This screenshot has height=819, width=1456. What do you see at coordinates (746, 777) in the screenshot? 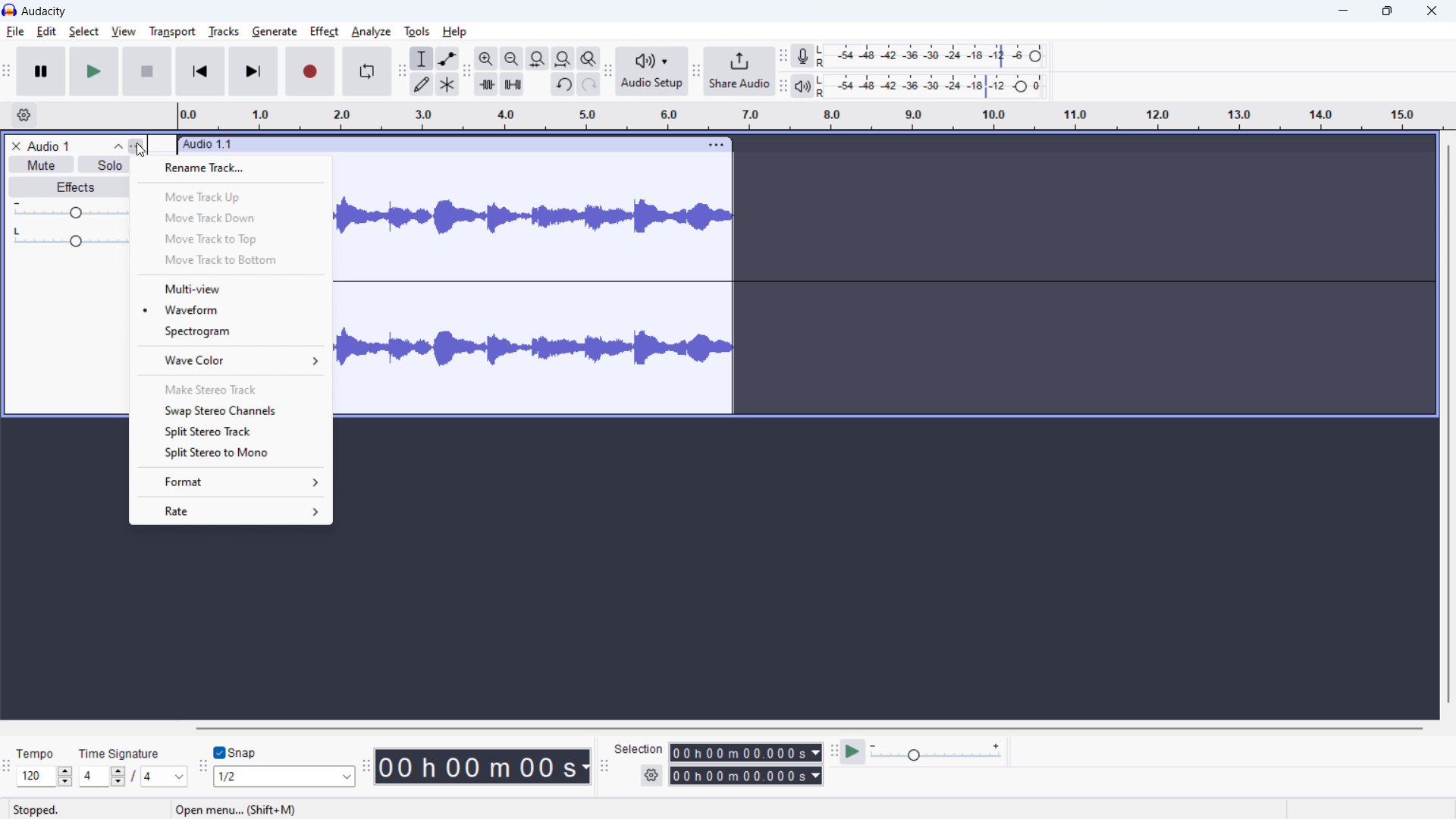
I see `end time` at bounding box center [746, 777].